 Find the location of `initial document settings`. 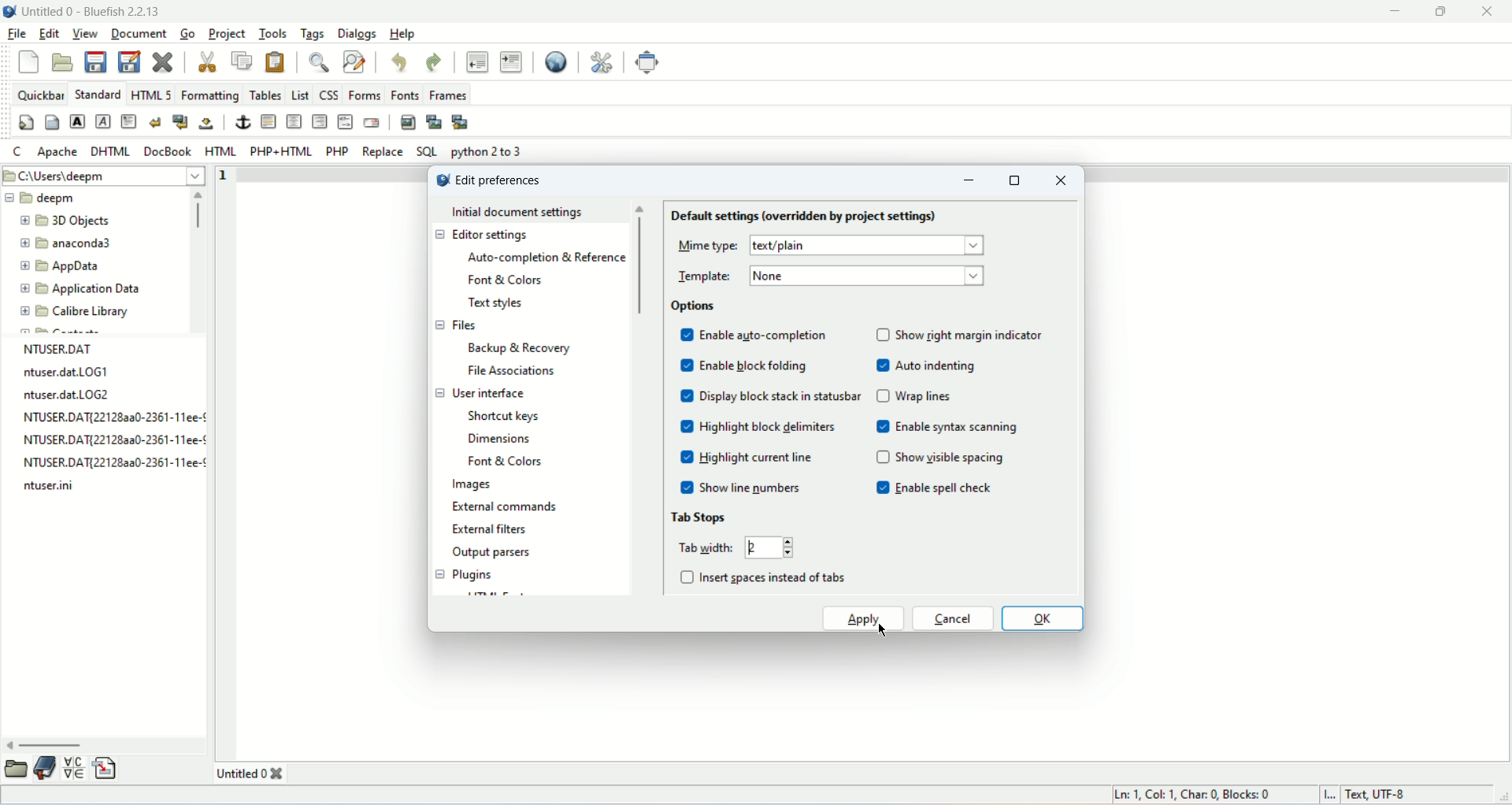

initial document settings is located at coordinates (531, 213).